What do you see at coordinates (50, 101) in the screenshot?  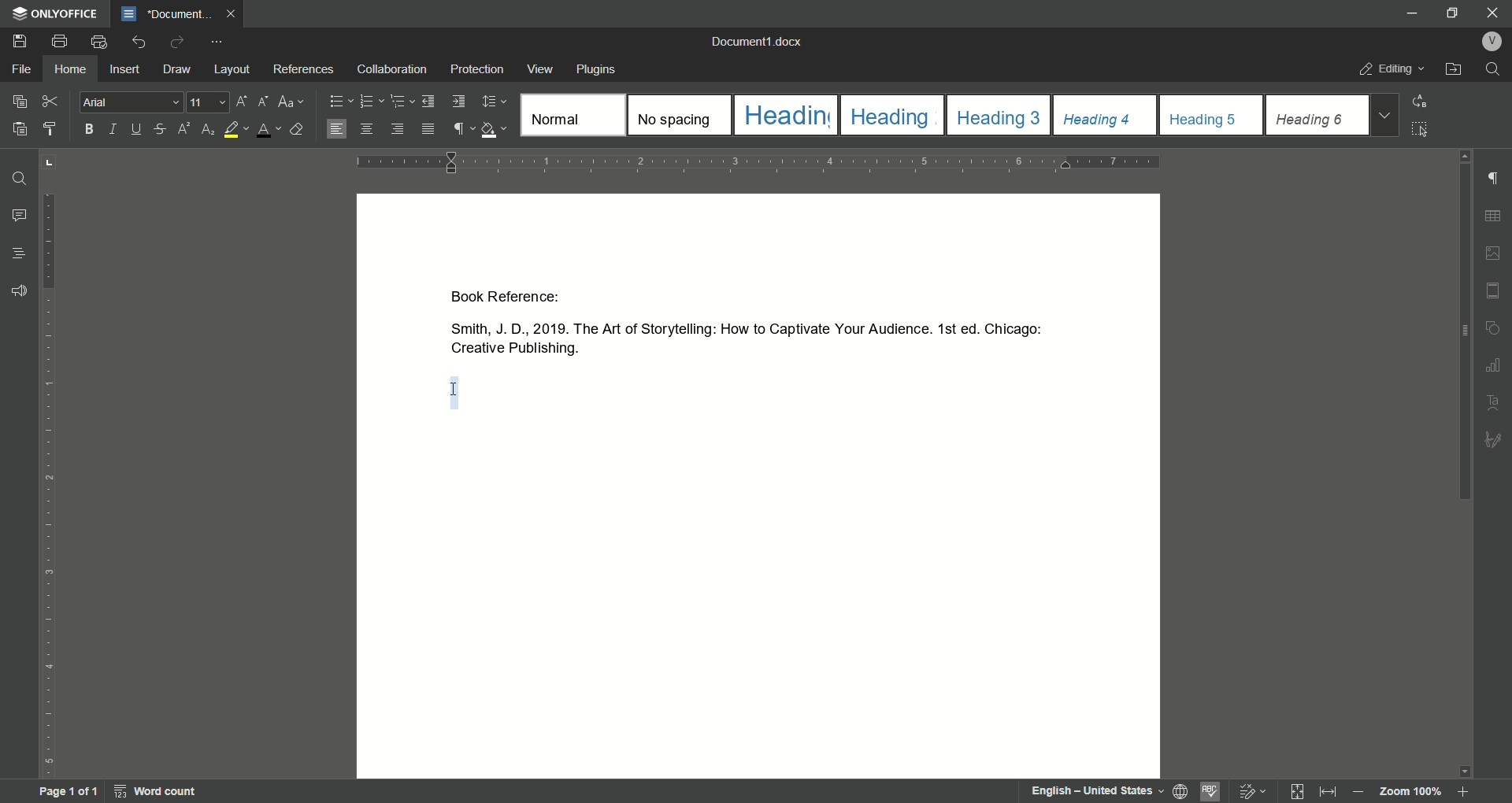 I see `cut` at bounding box center [50, 101].